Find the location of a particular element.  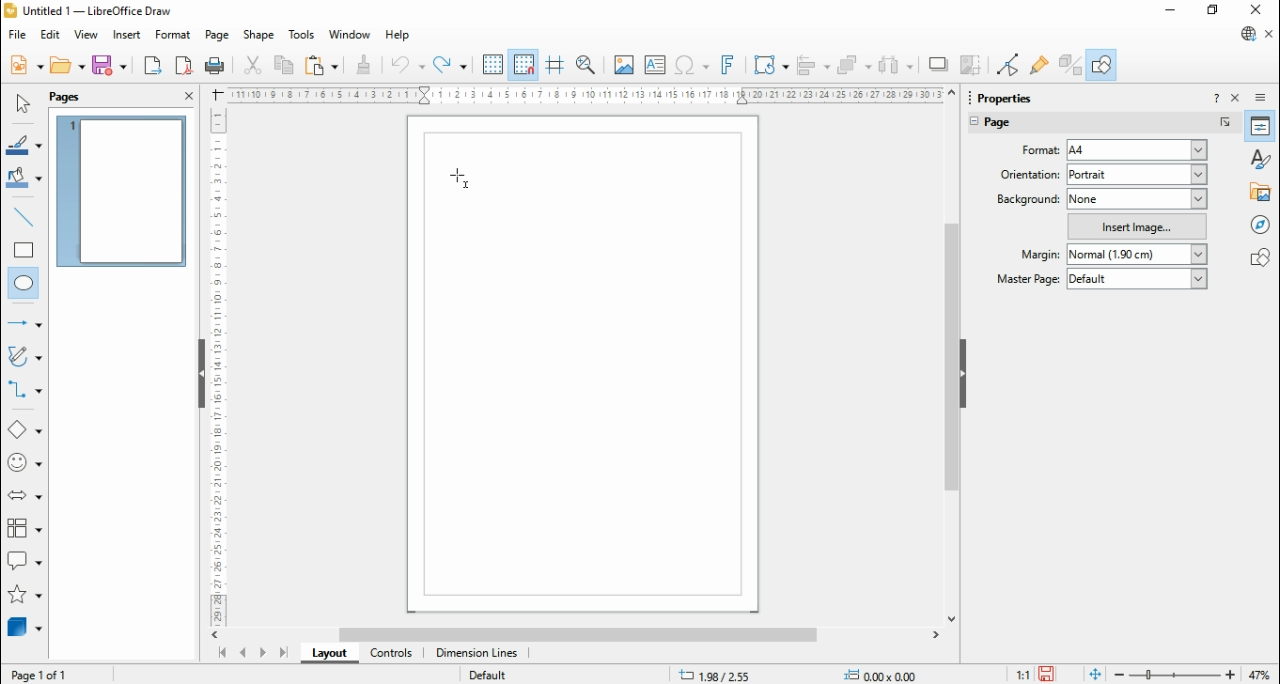

line color is located at coordinates (26, 145).